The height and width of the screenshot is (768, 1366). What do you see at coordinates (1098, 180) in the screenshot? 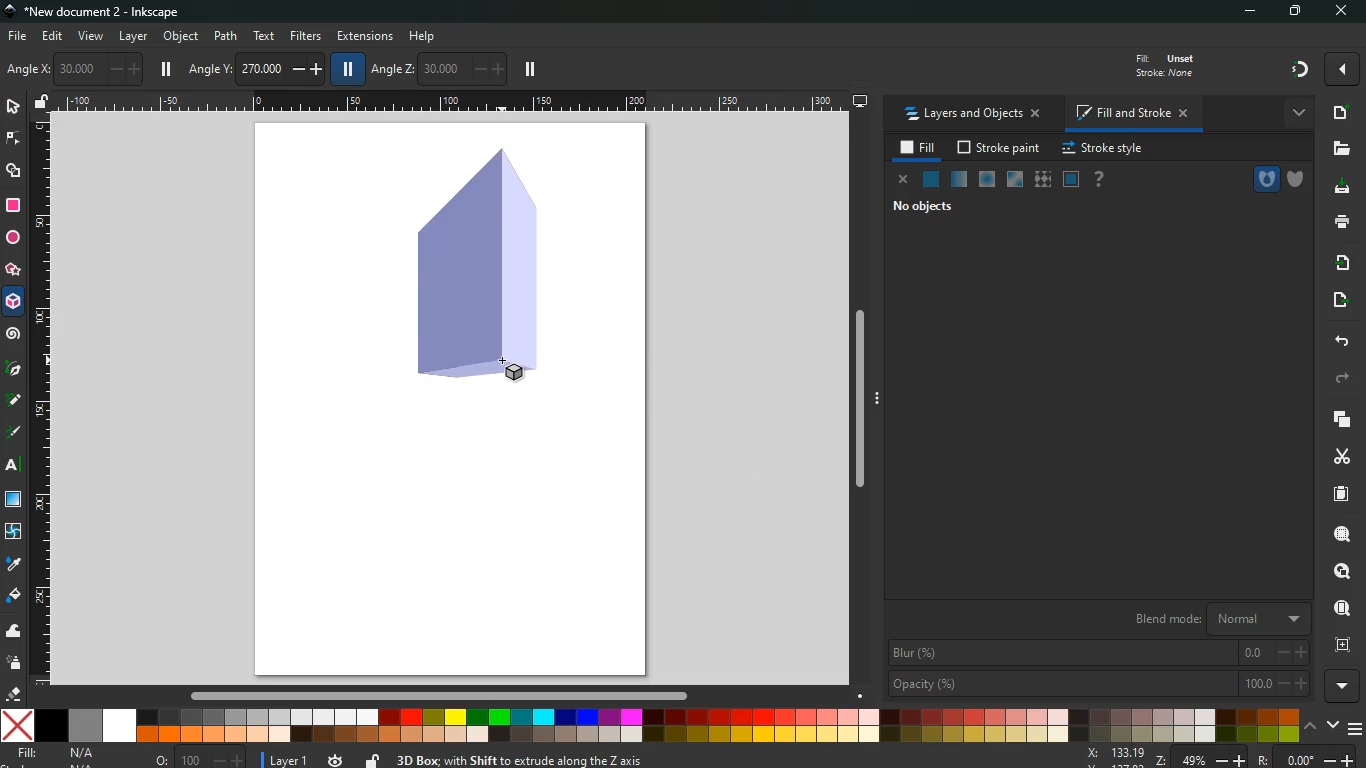
I see `help` at bounding box center [1098, 180].